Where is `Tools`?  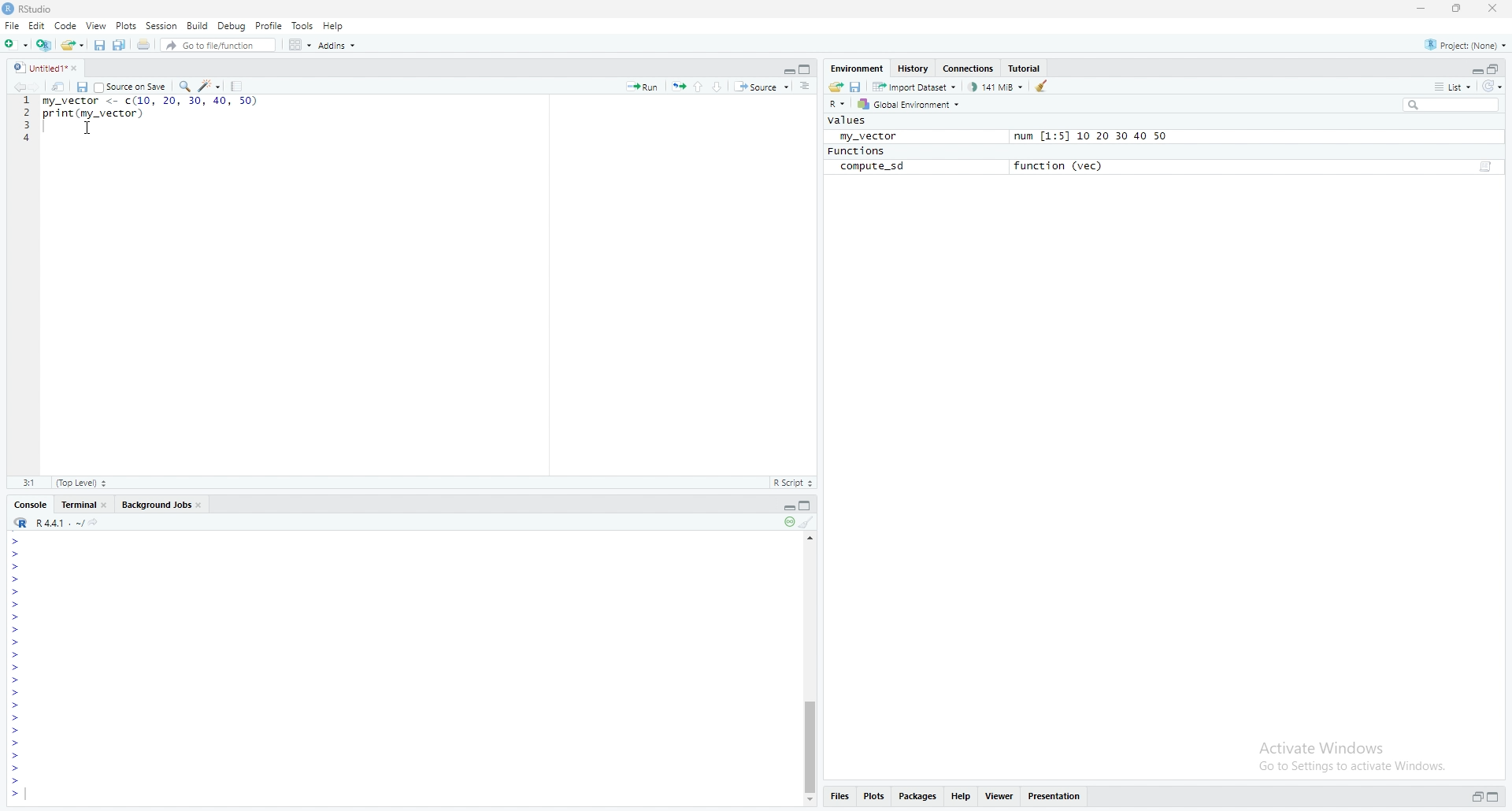 Tools is located at coordinates (302, 26).